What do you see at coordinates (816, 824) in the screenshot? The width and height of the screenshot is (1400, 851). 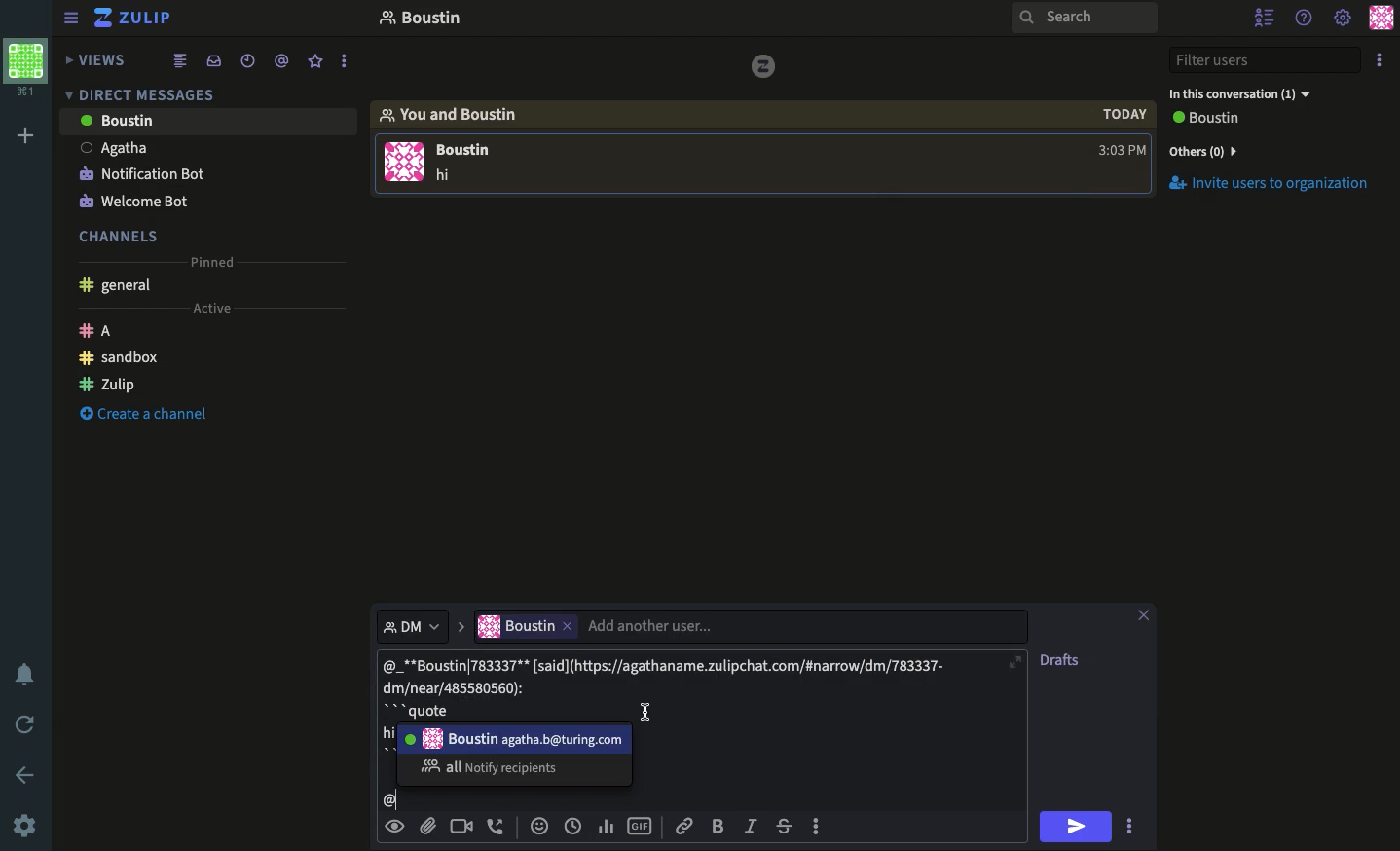 I see `Options` at bounding box center [816, 824].